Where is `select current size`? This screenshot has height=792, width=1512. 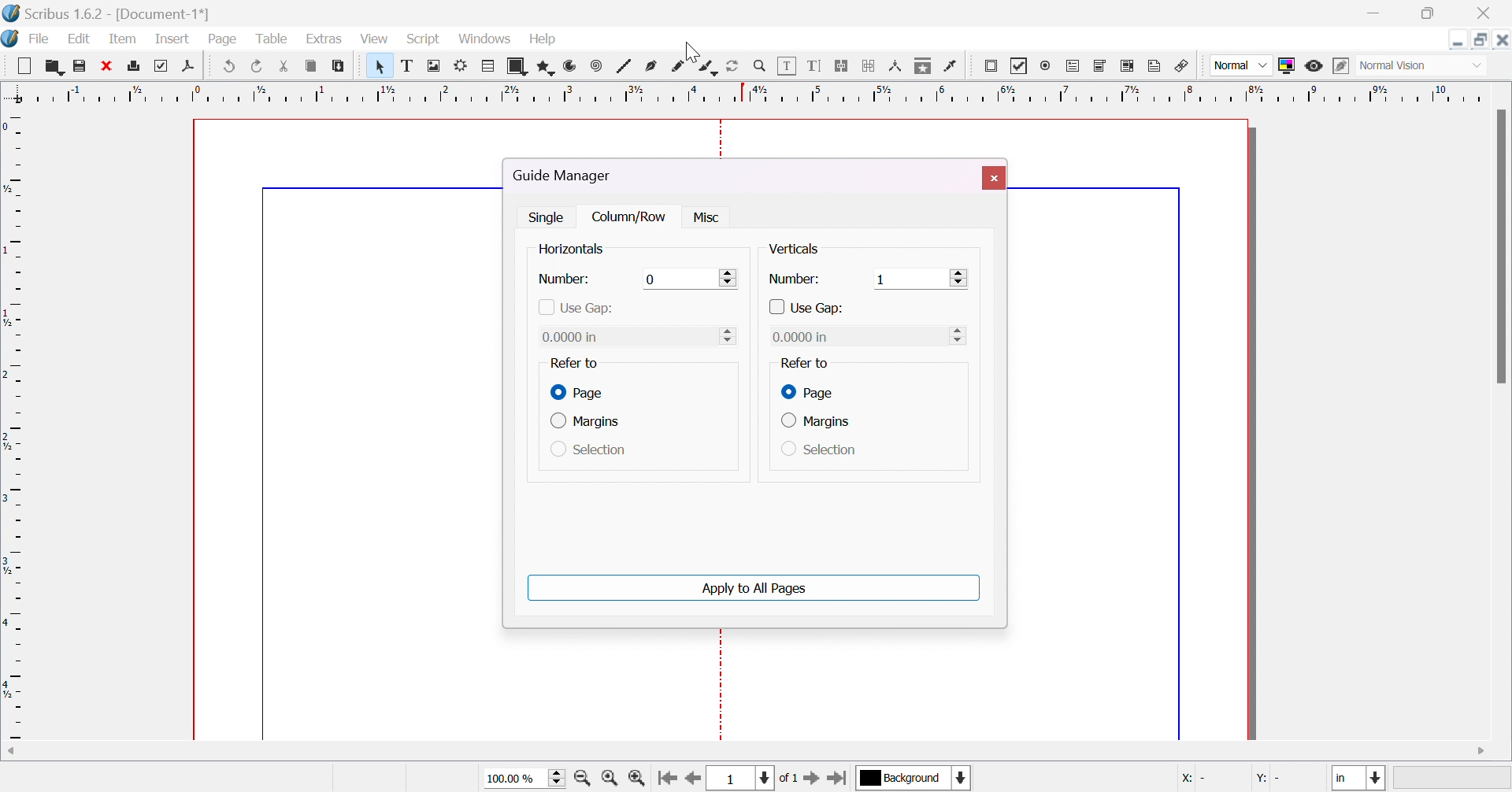 select current size is located at coordinates (524, 776).